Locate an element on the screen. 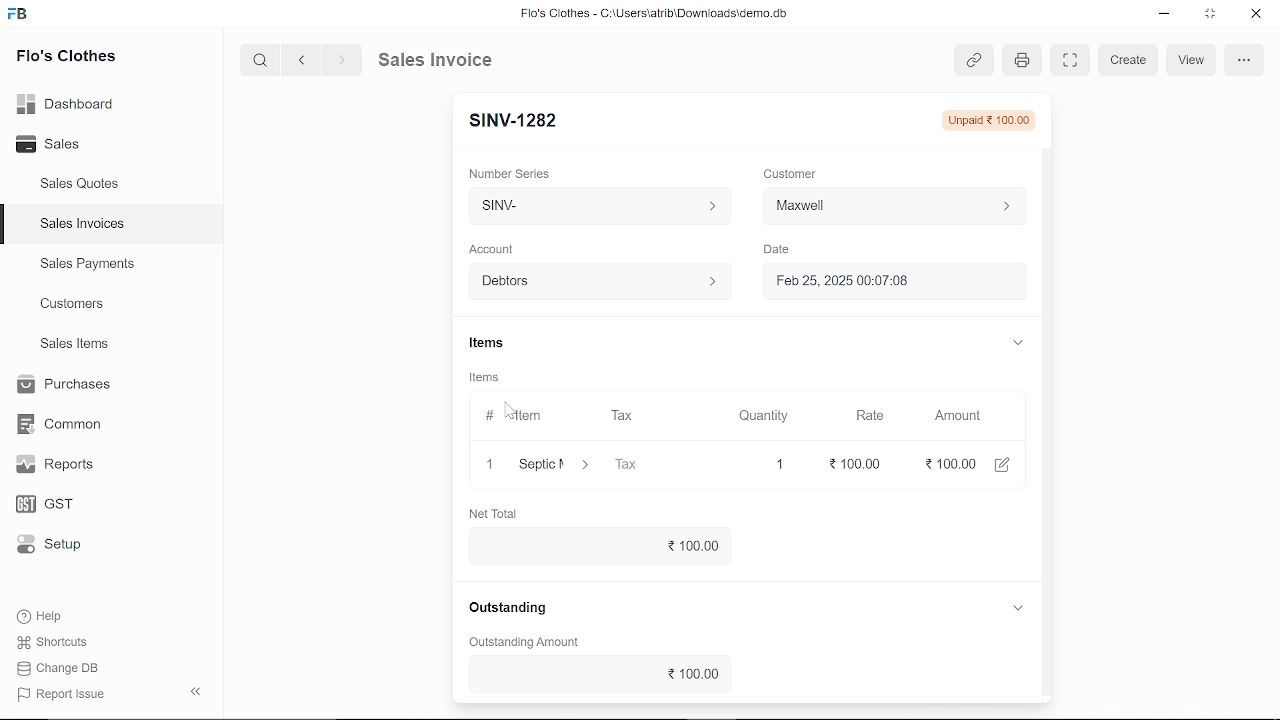 The width and height of the screenshot is (1280, 720). Sales is located at coordinates (57, 142).